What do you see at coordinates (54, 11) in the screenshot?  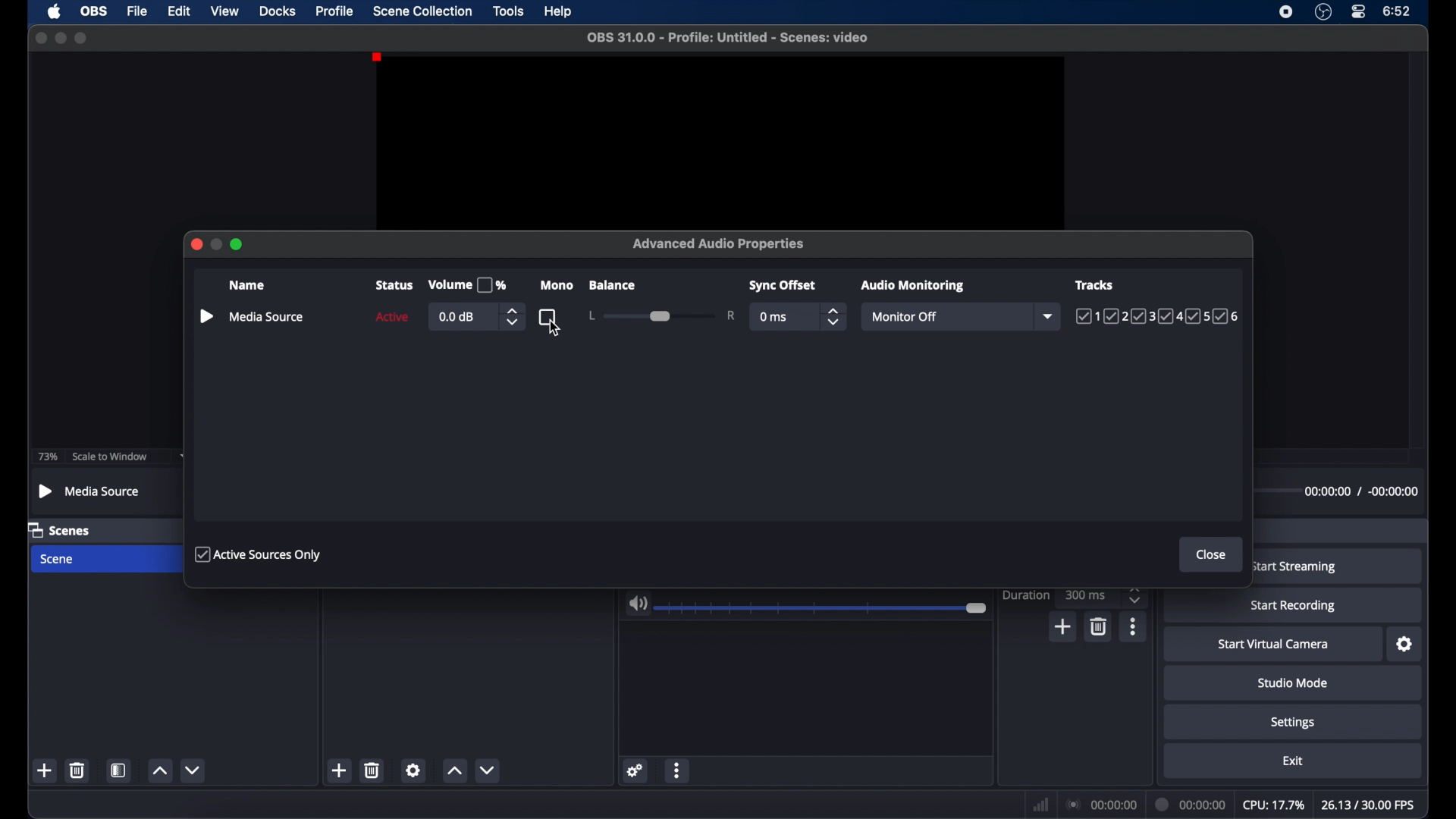 I see `apple icon` at bounding box center [54, 11].